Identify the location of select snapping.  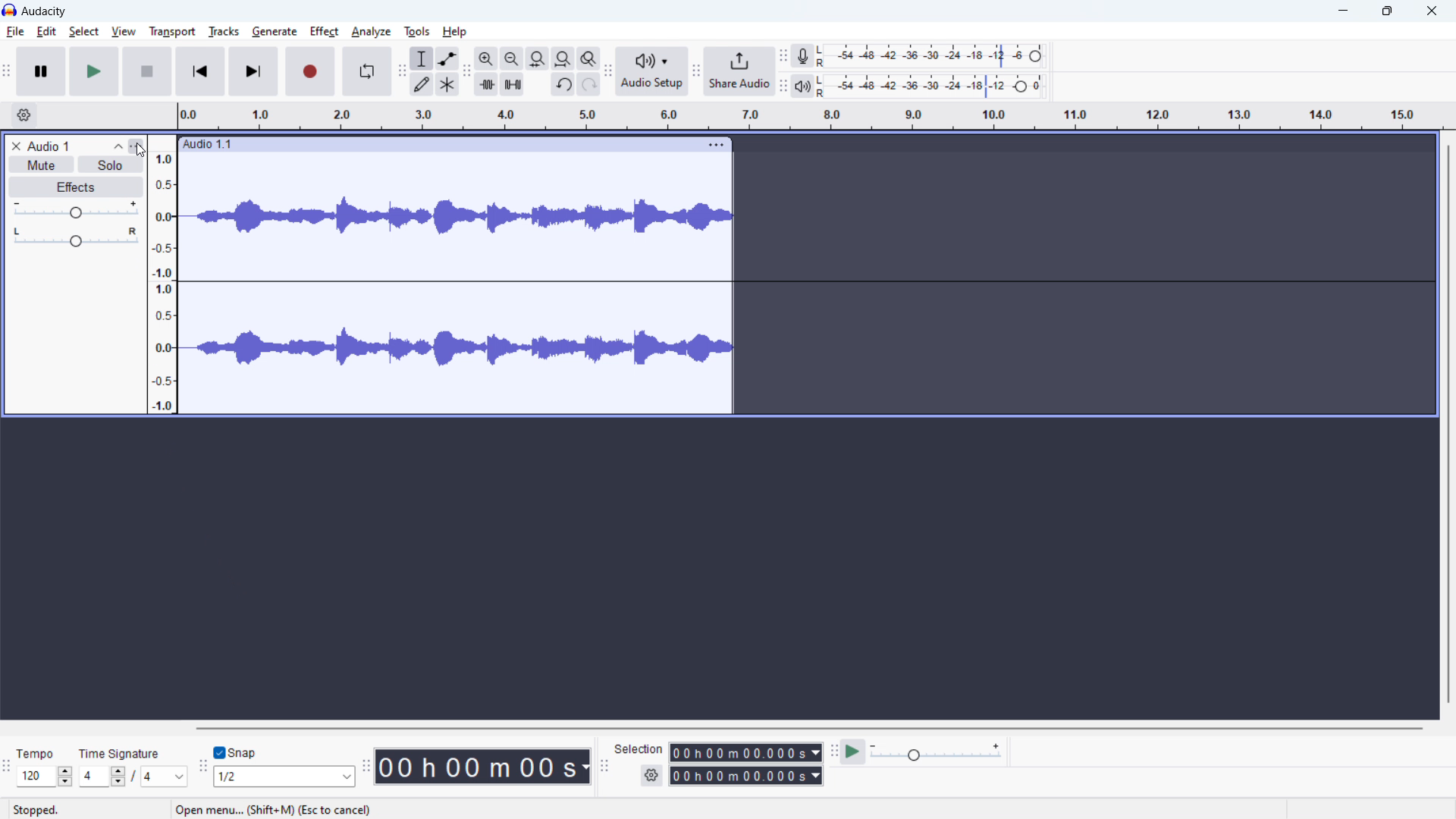
(284, 776).